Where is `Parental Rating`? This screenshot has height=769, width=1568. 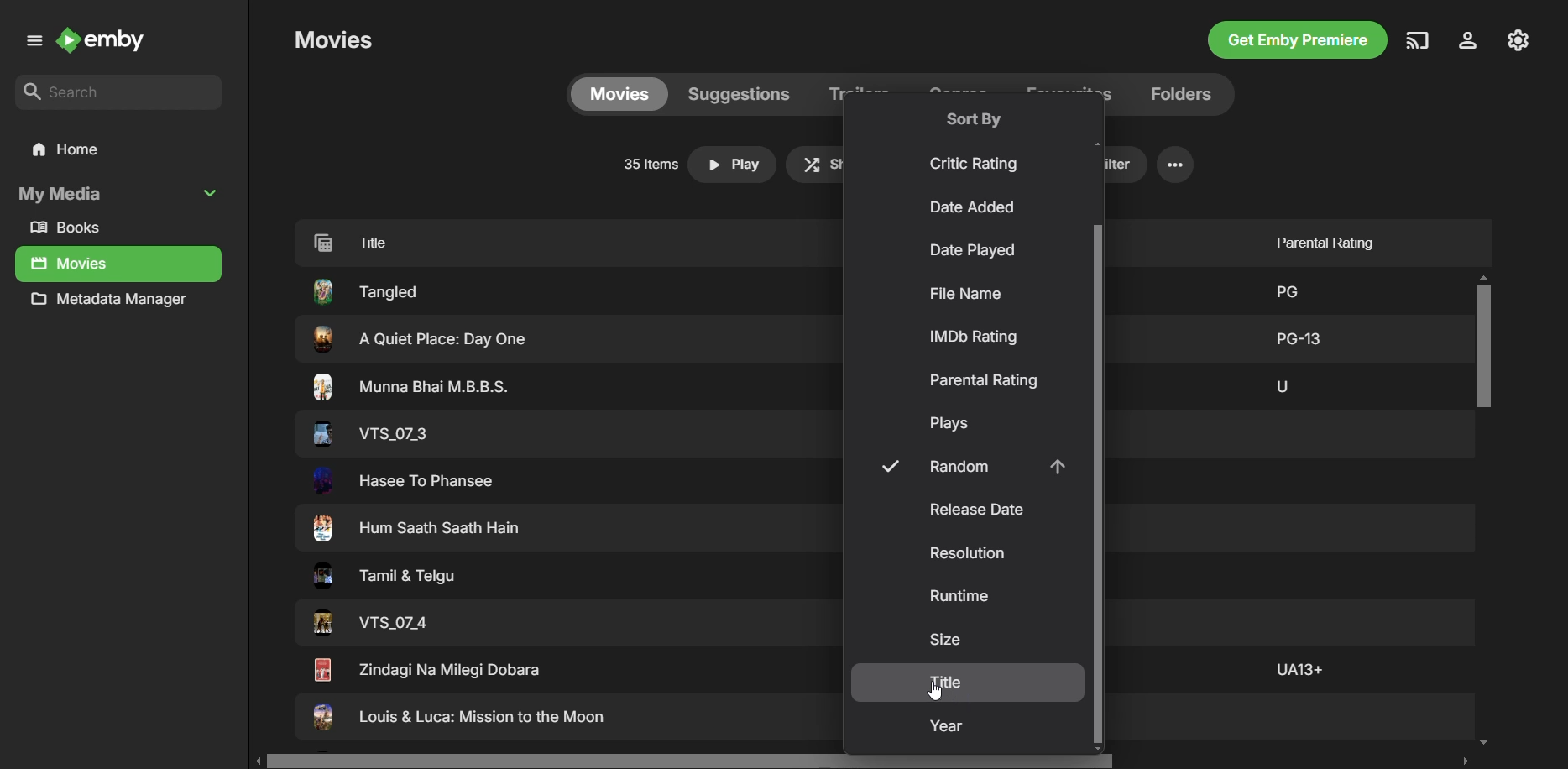
Parental Rating is located at coordinates (984, 380).